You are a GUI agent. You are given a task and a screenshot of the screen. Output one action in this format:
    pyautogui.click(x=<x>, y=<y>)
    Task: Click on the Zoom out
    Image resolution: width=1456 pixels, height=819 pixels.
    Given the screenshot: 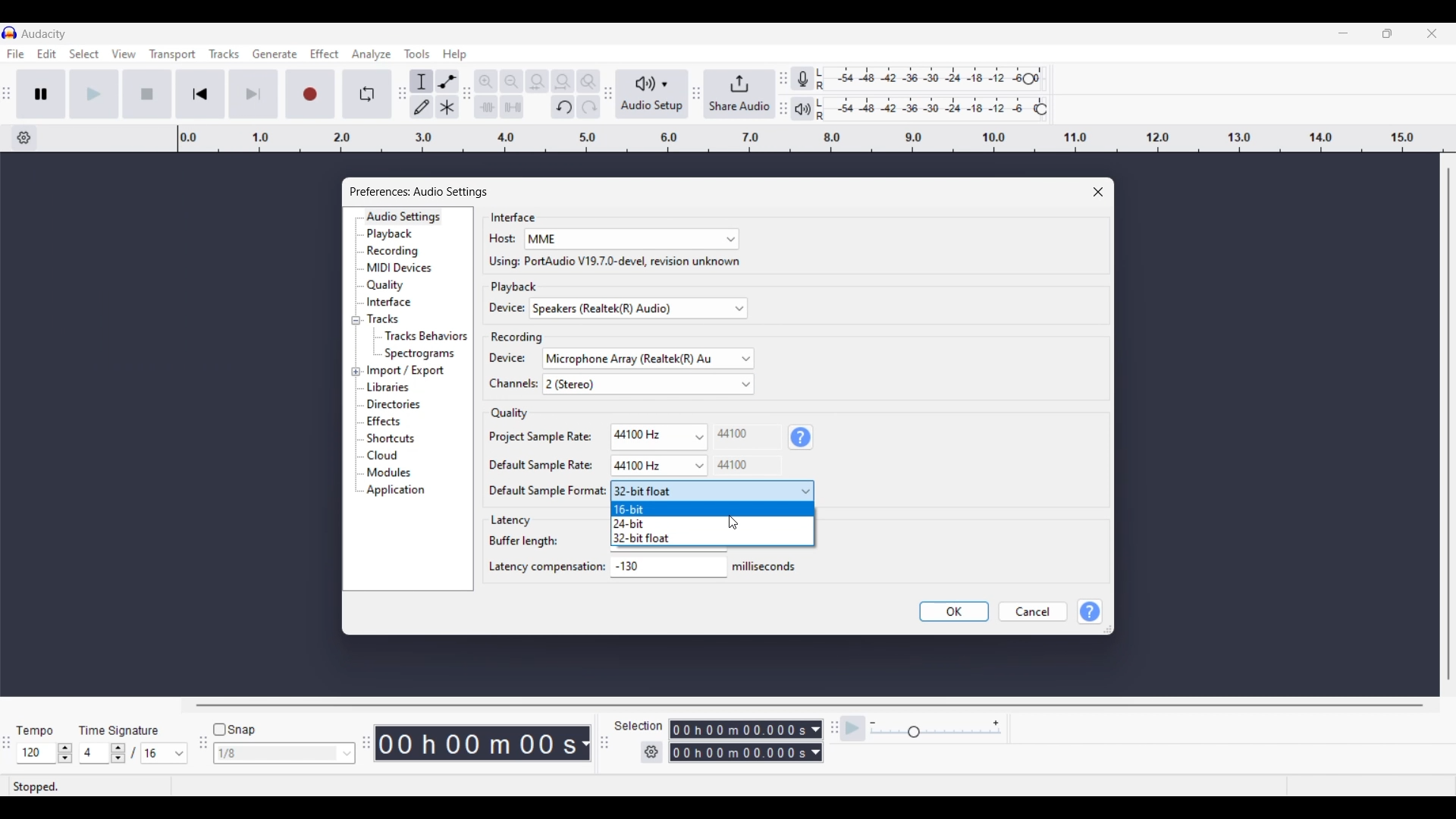 What is the action you would take?
    pyautogui.click(x=511, y=81)
    